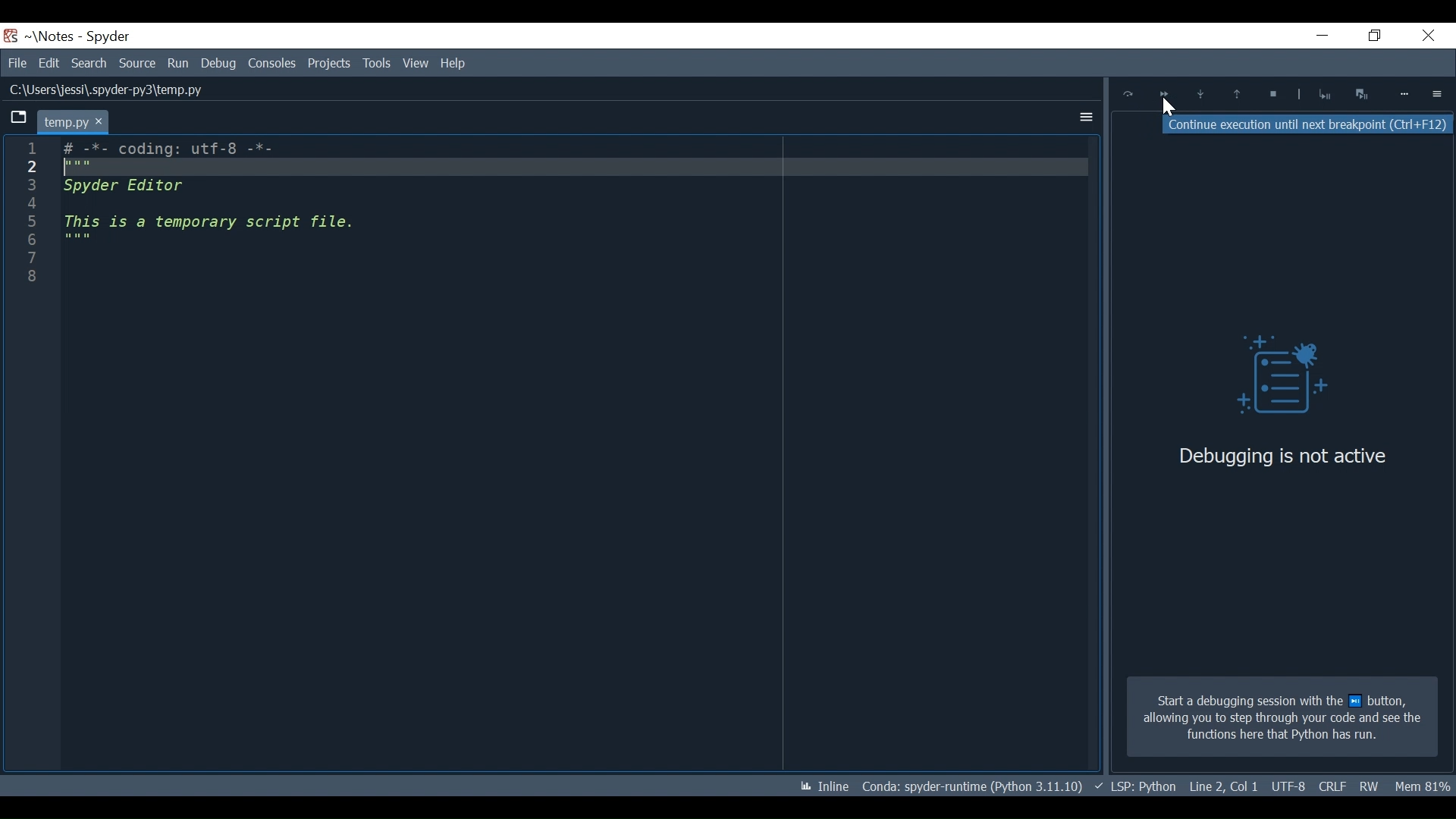 This screenshot has height=819, width=1456. Describe the element at coordinates (1324, 94) in the screenshot. I see `Stop Debugging` at that location.